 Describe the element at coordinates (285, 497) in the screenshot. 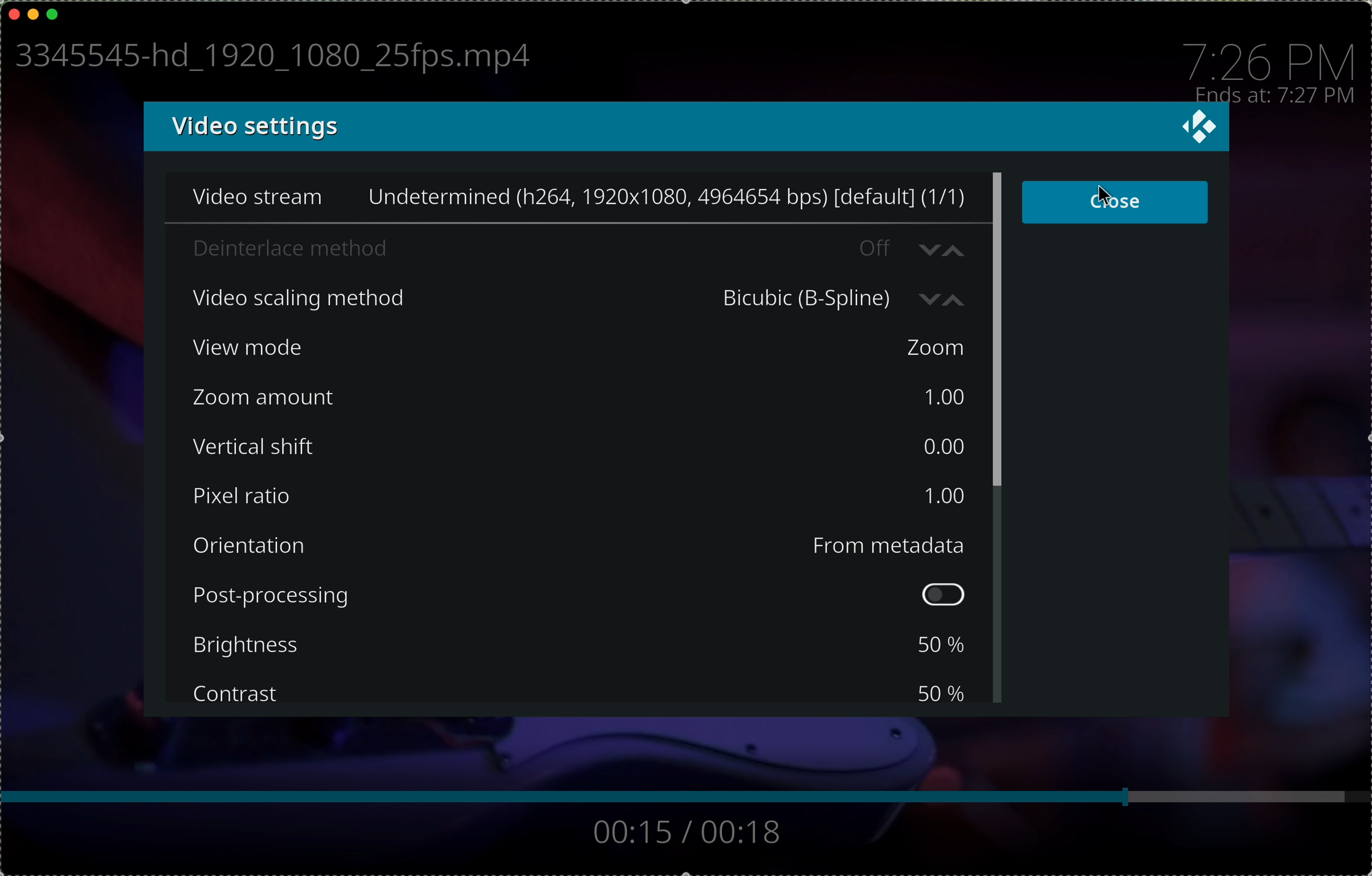

I see `Pixel ratio` at that location.